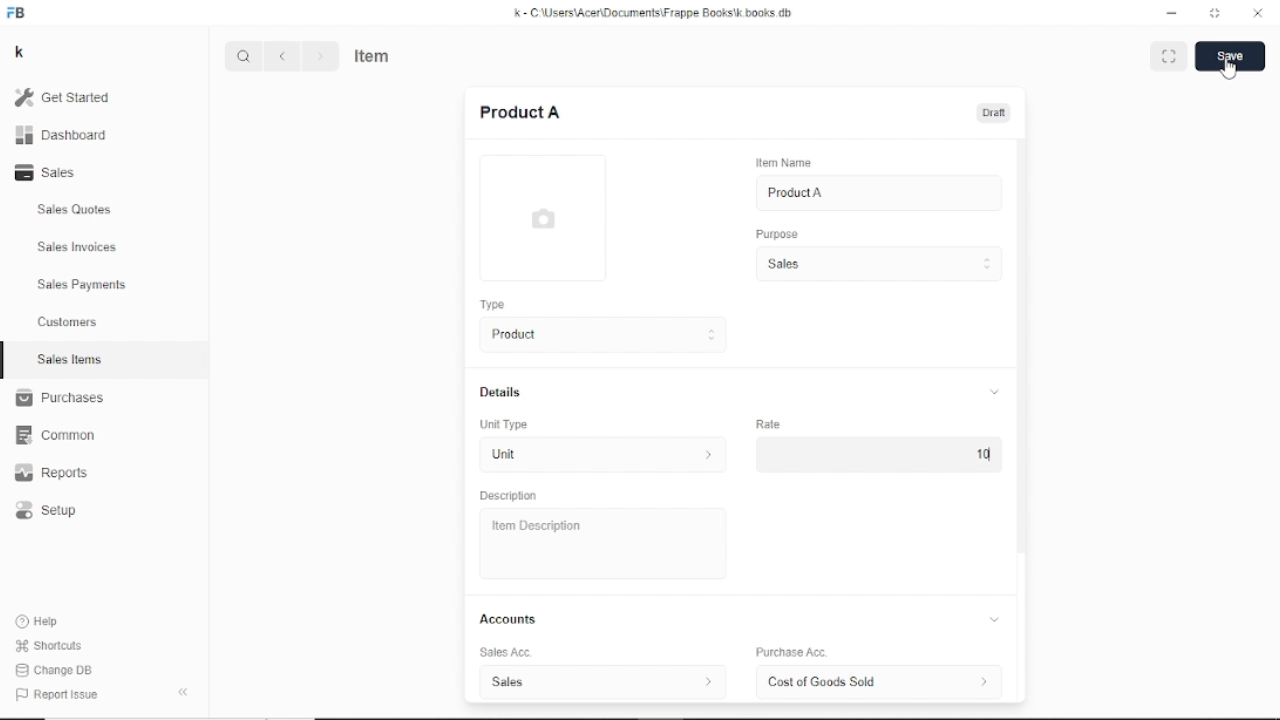 This screenshot has width=1280, height=720. Describe the element at coordinates (76, 210) in the screenshot. I see `Sales Quotes` at that location.